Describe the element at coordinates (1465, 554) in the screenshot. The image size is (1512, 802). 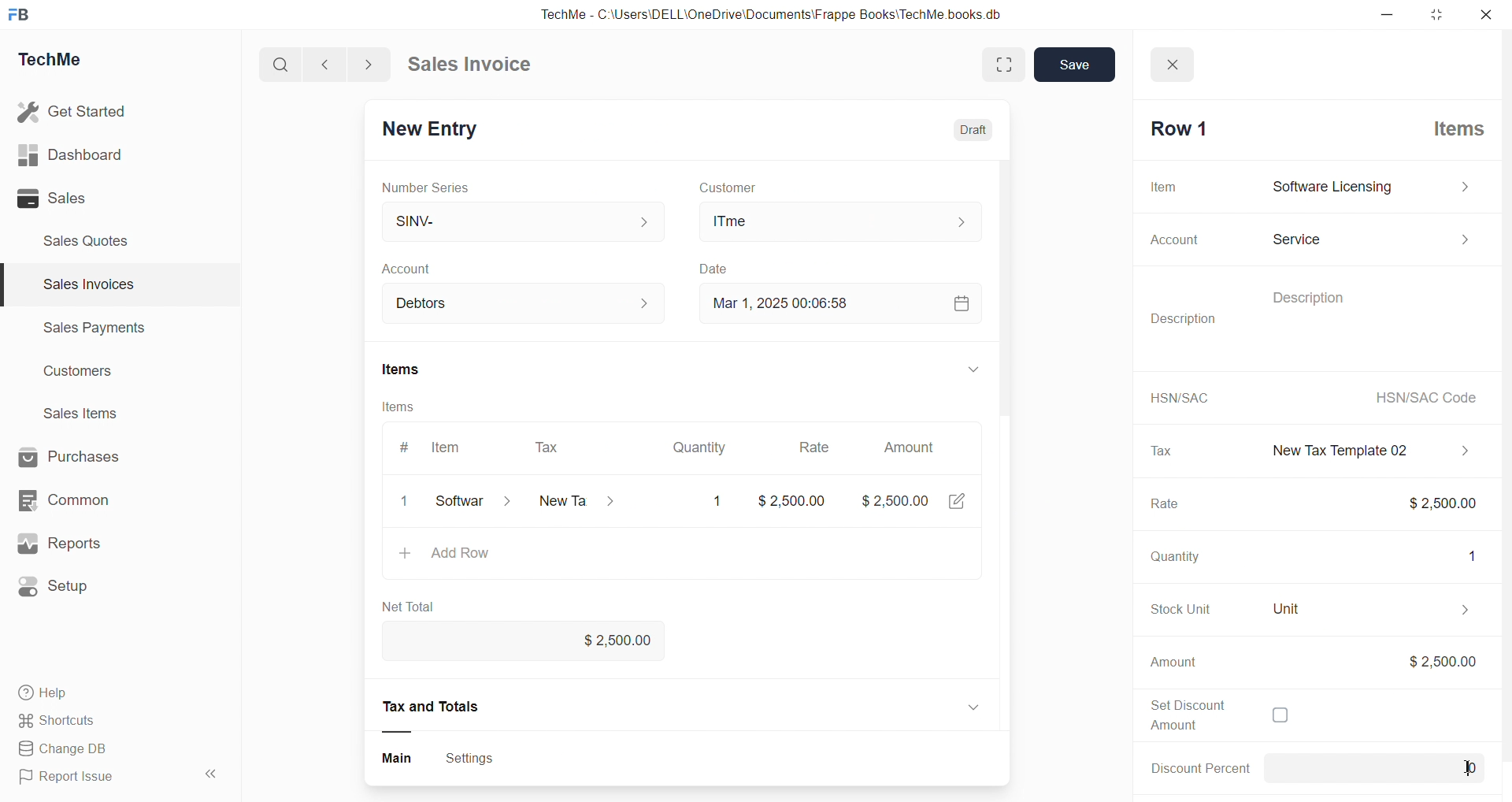
I see `1` at that location.